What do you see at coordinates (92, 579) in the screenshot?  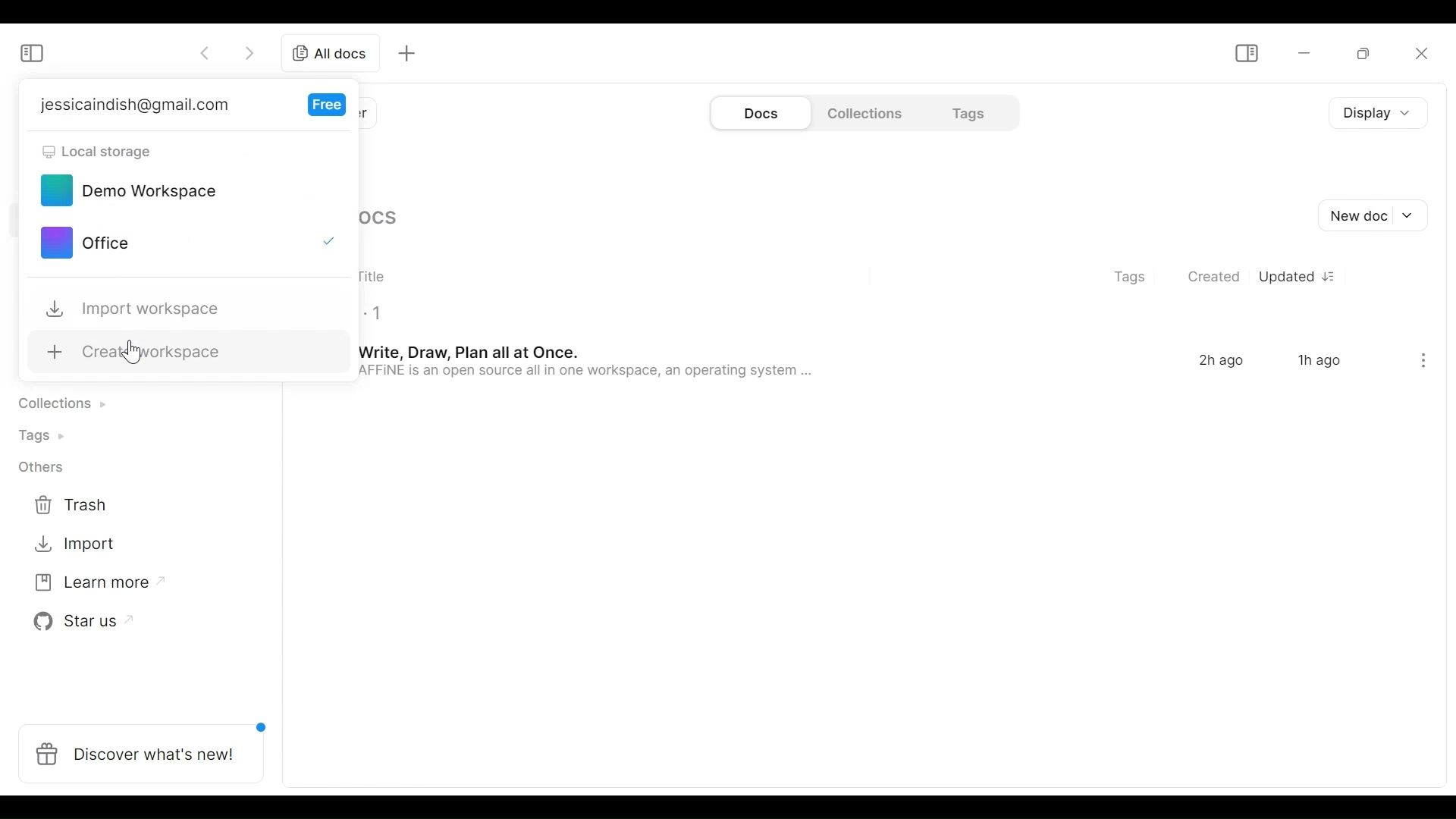 I see `Learn more` at bounding box center [92, 579].